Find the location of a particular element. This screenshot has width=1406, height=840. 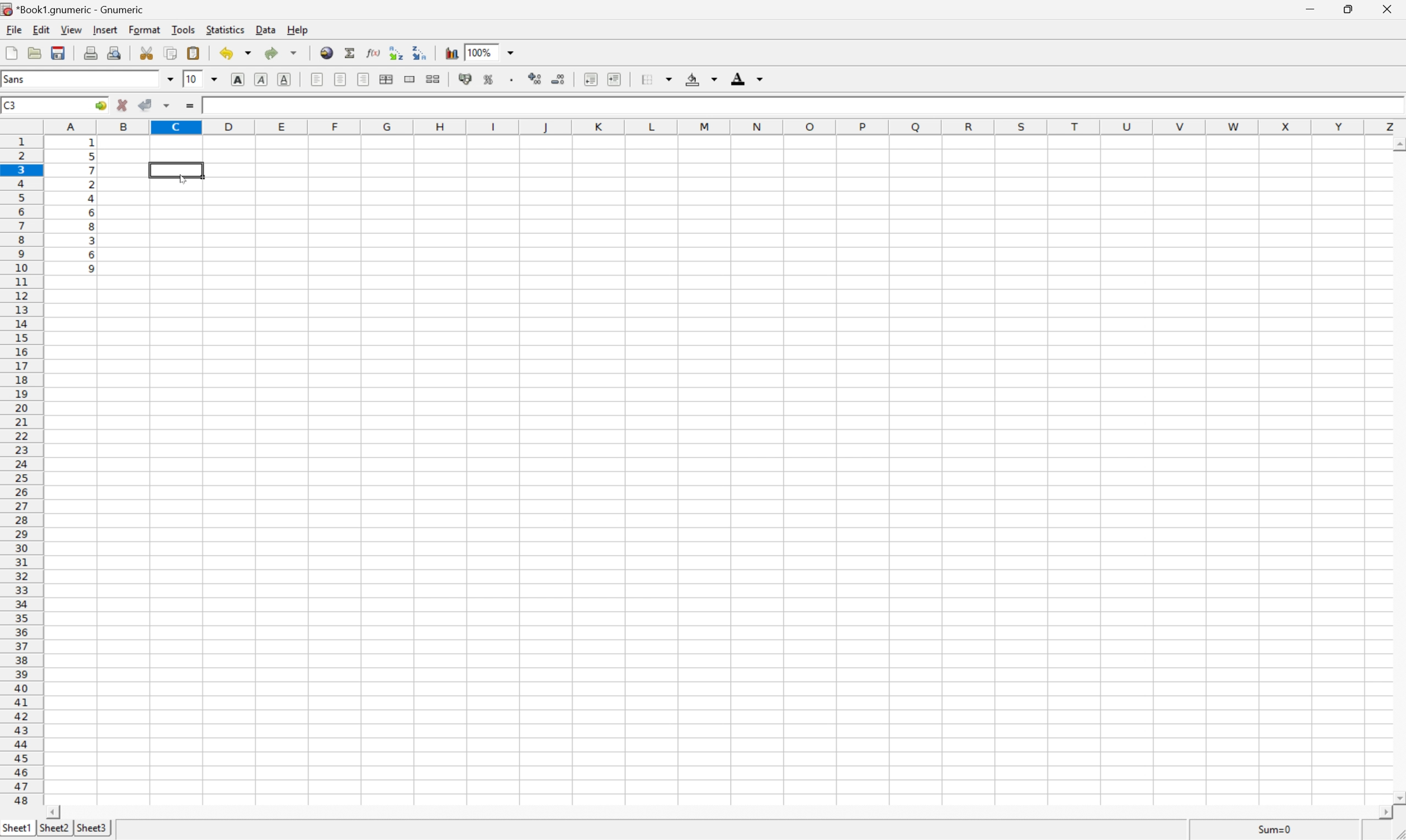

drop down is located at coordinates (170, 80).